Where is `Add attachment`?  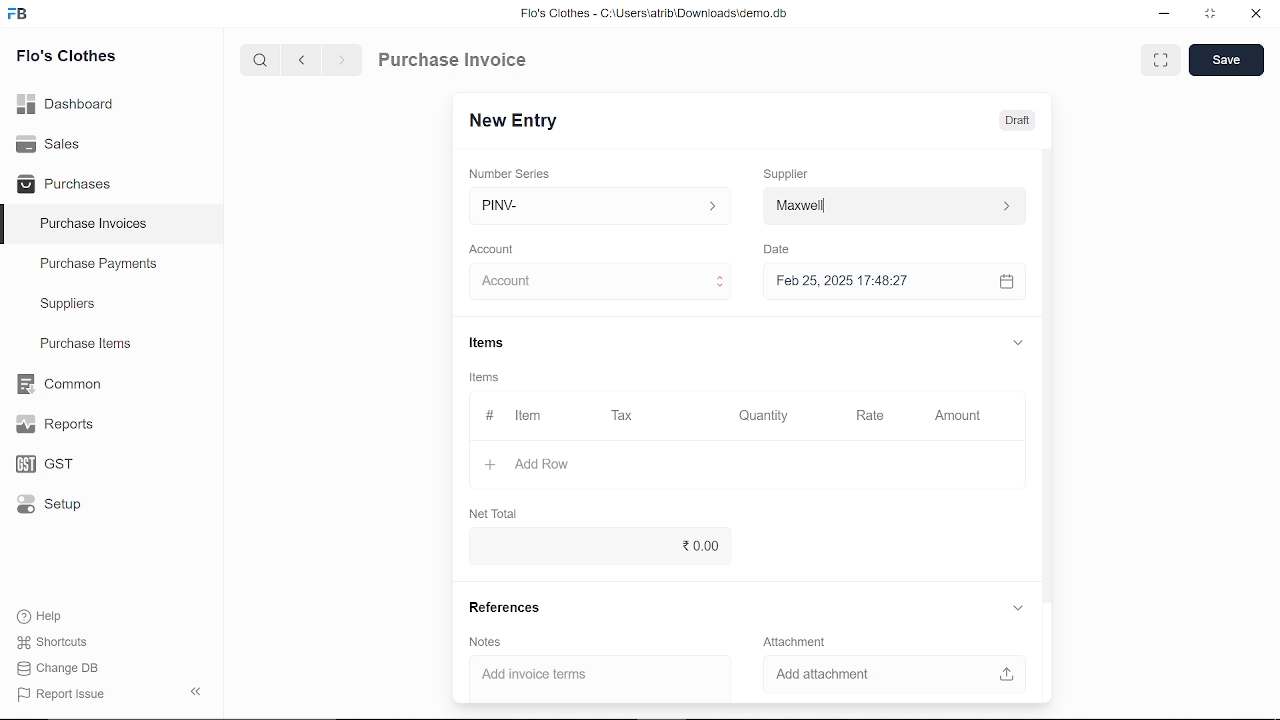
Add attachment is located at coordinates (887, 672).